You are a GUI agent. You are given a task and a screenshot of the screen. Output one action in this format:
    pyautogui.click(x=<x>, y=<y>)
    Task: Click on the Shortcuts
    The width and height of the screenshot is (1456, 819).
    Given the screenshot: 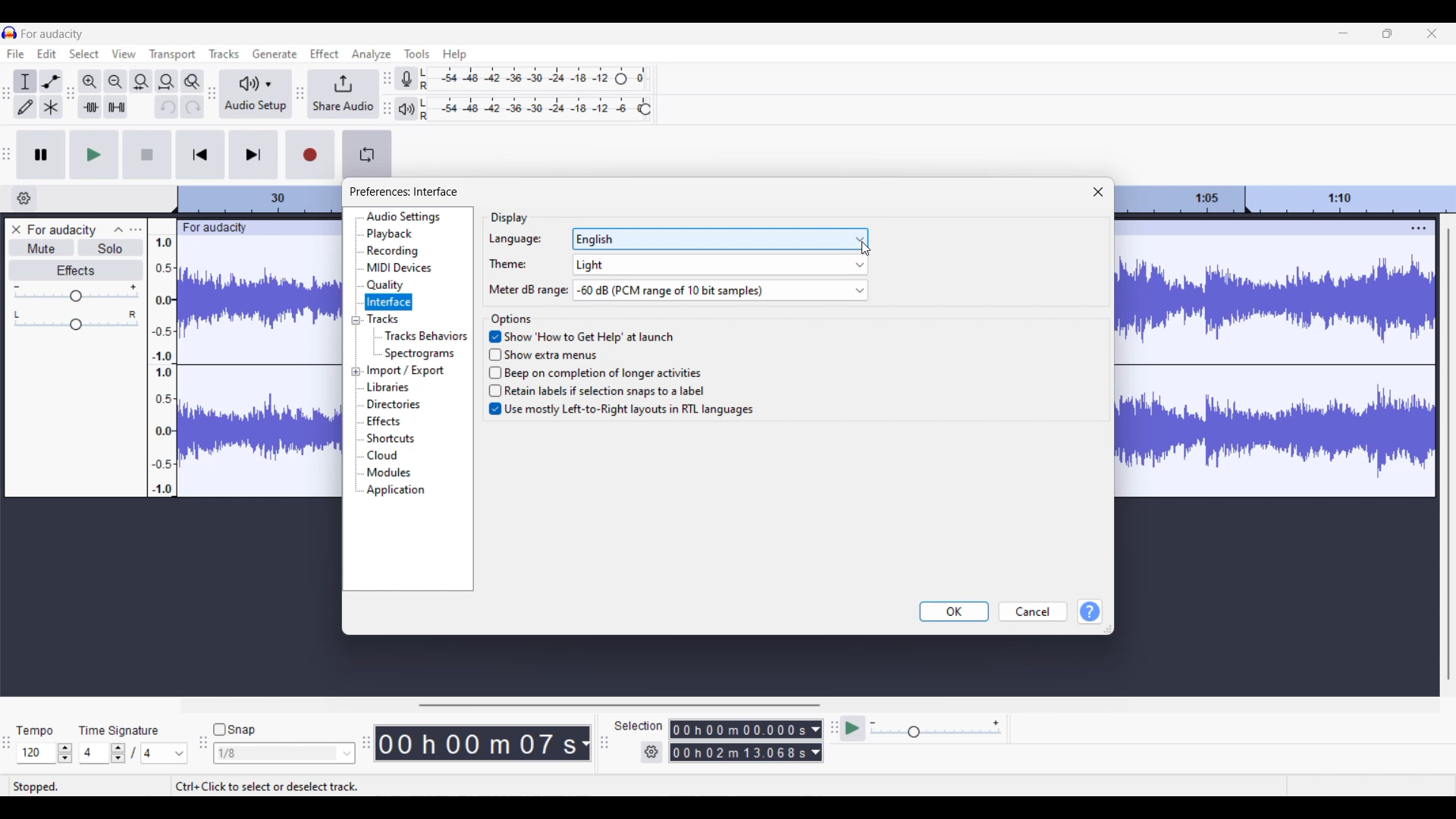 What is the action you would take?
    pyautogui.click(x=390, y=438)
    